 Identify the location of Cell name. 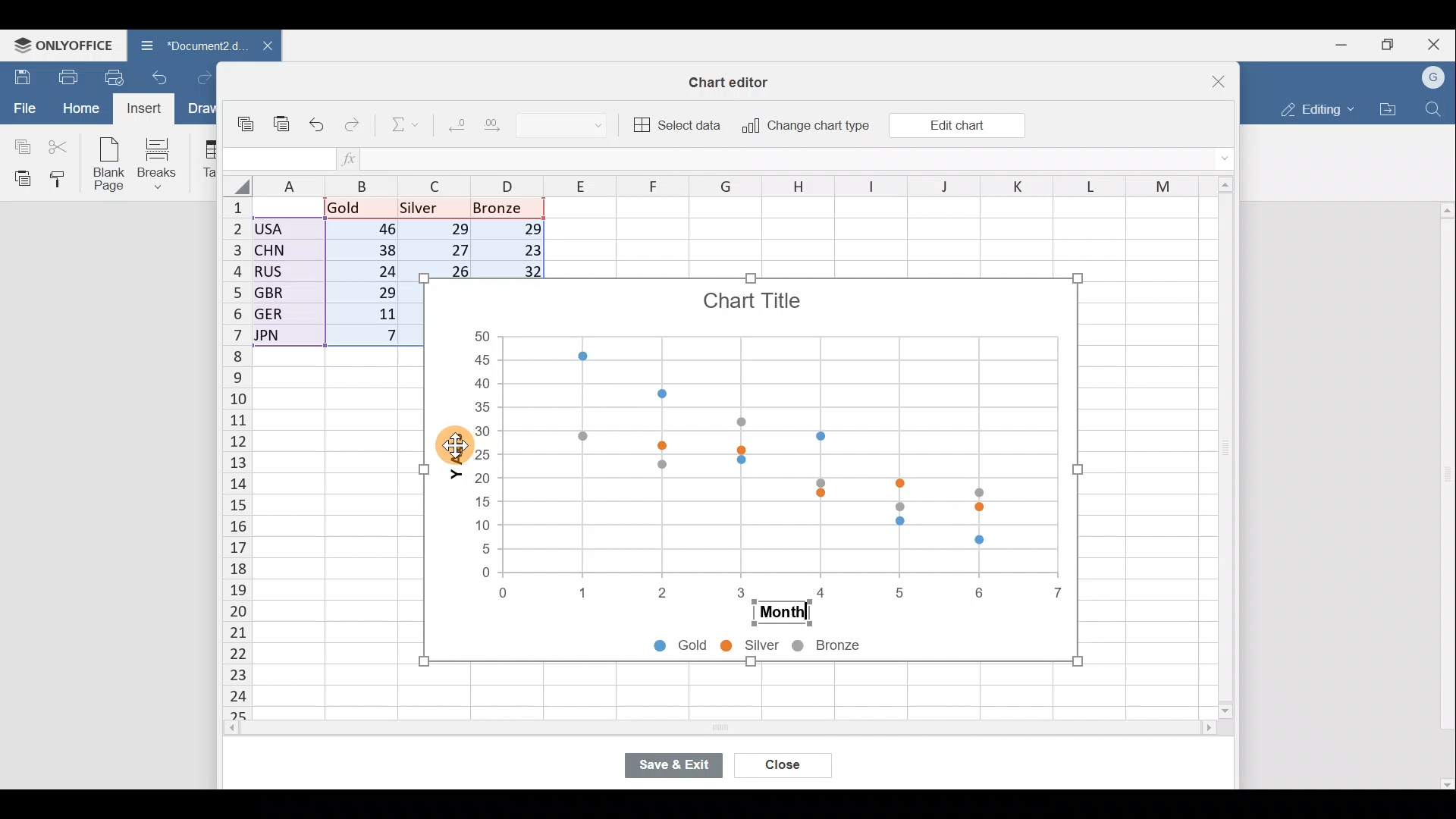
(277, 155).